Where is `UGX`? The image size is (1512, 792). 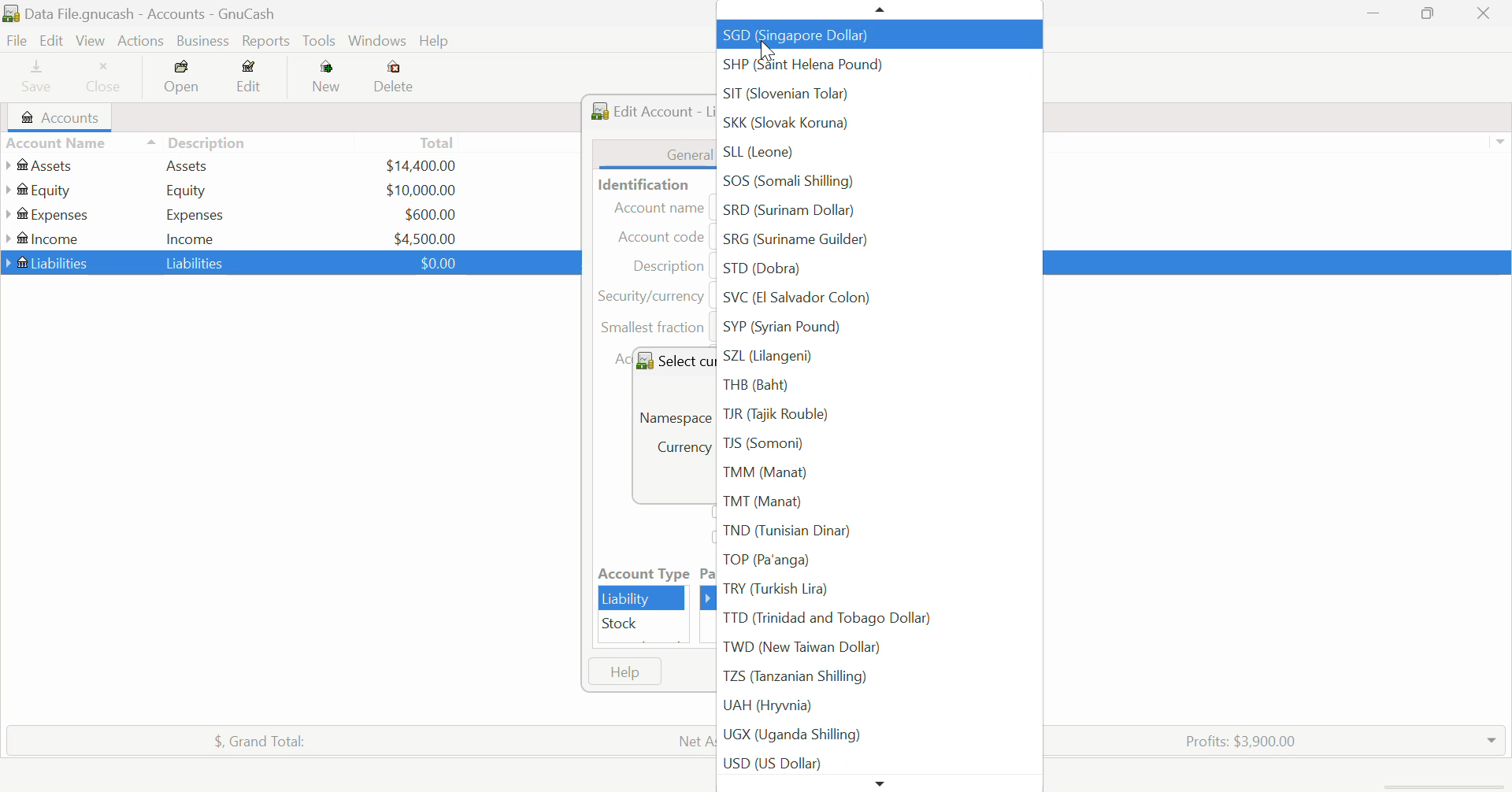
UGX is located at coordinates (877, 735).